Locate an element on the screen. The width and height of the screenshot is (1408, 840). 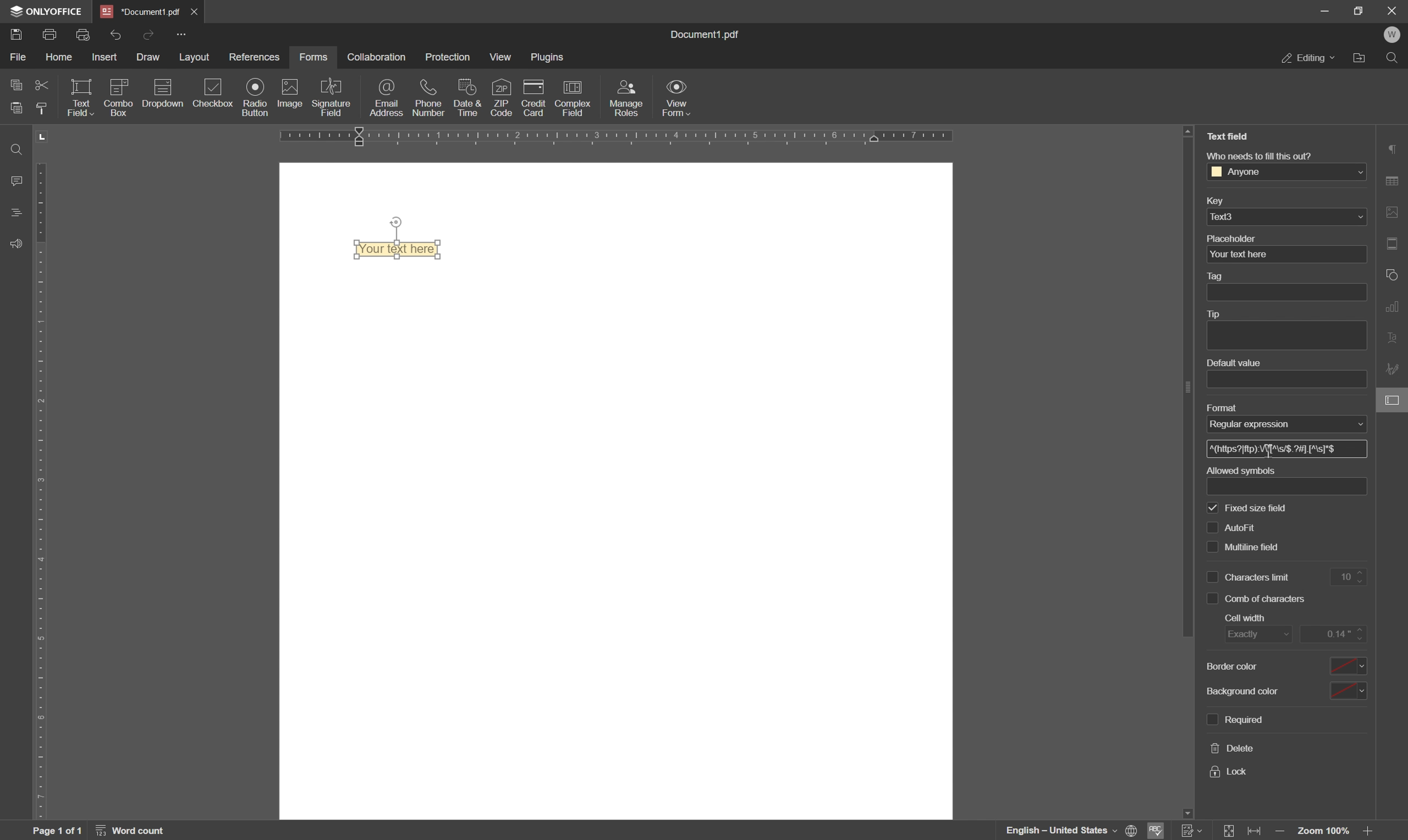
email address is located at coordinates (389, 99).